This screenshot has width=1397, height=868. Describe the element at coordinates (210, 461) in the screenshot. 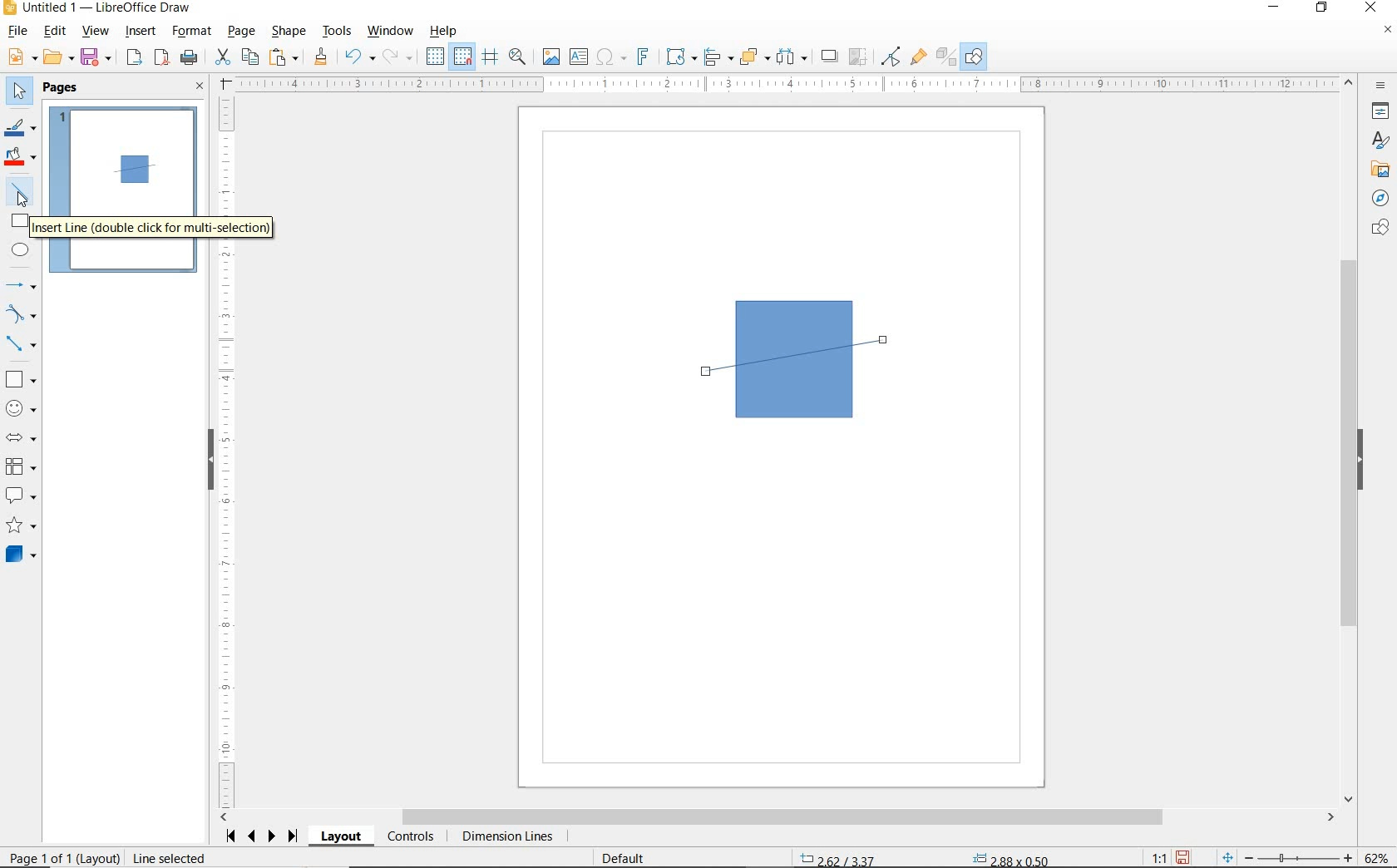

I see `HIDE` at that location.